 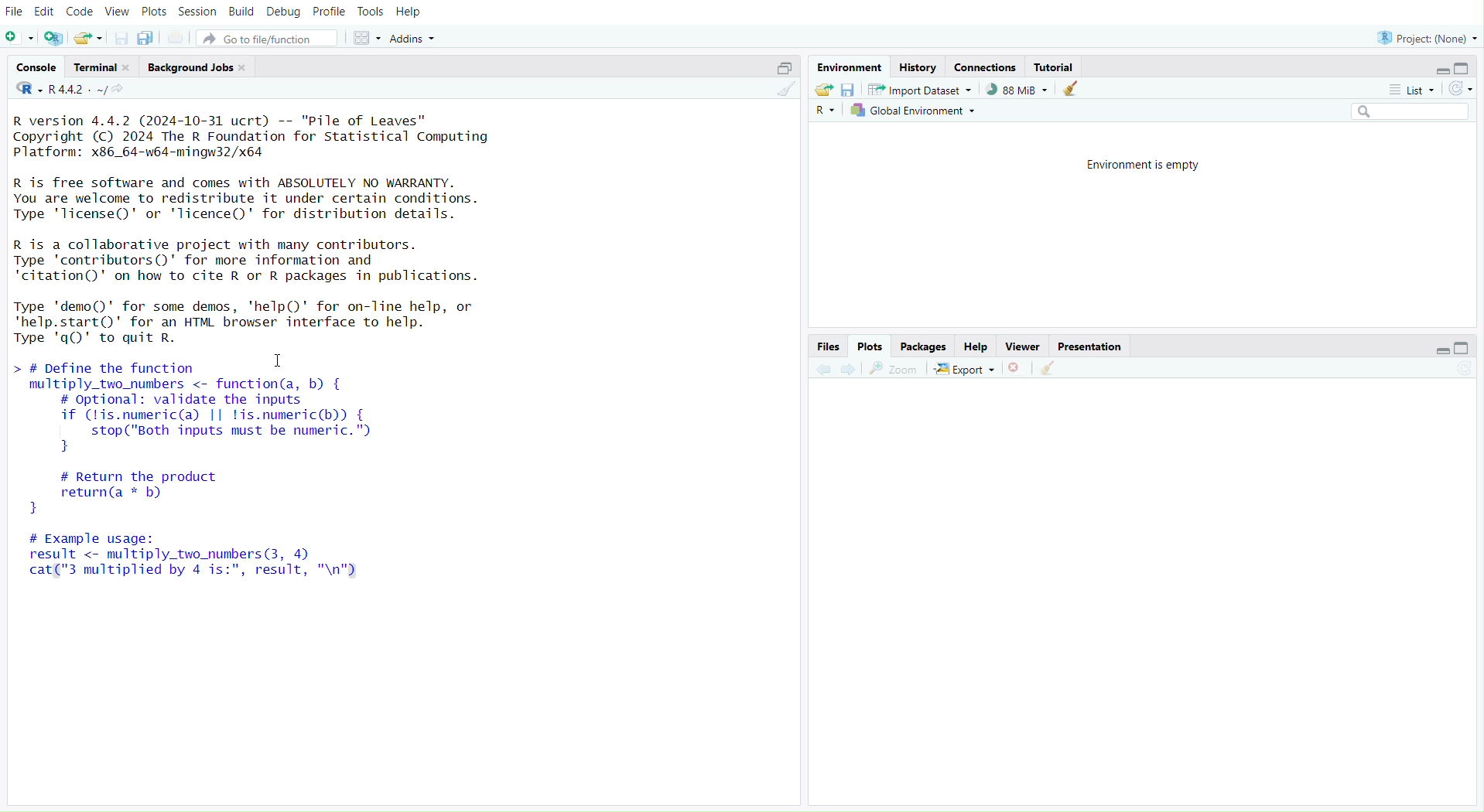 What do you see at coordinates (918, 88) in the screenshot?
I see `Import Dataset` at bounding box center [918, 88].